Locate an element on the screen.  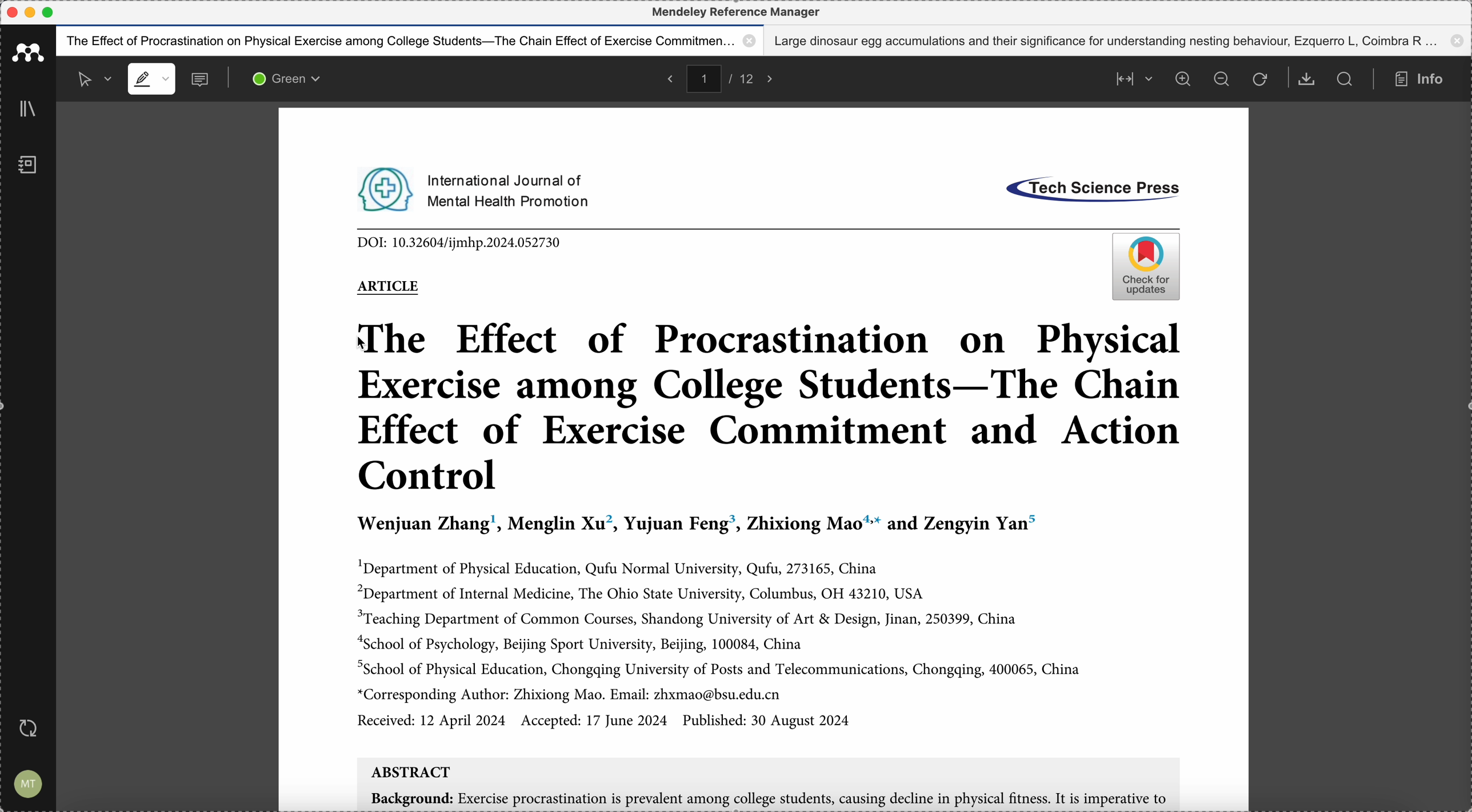
close program is located at coordinates (11, 13).